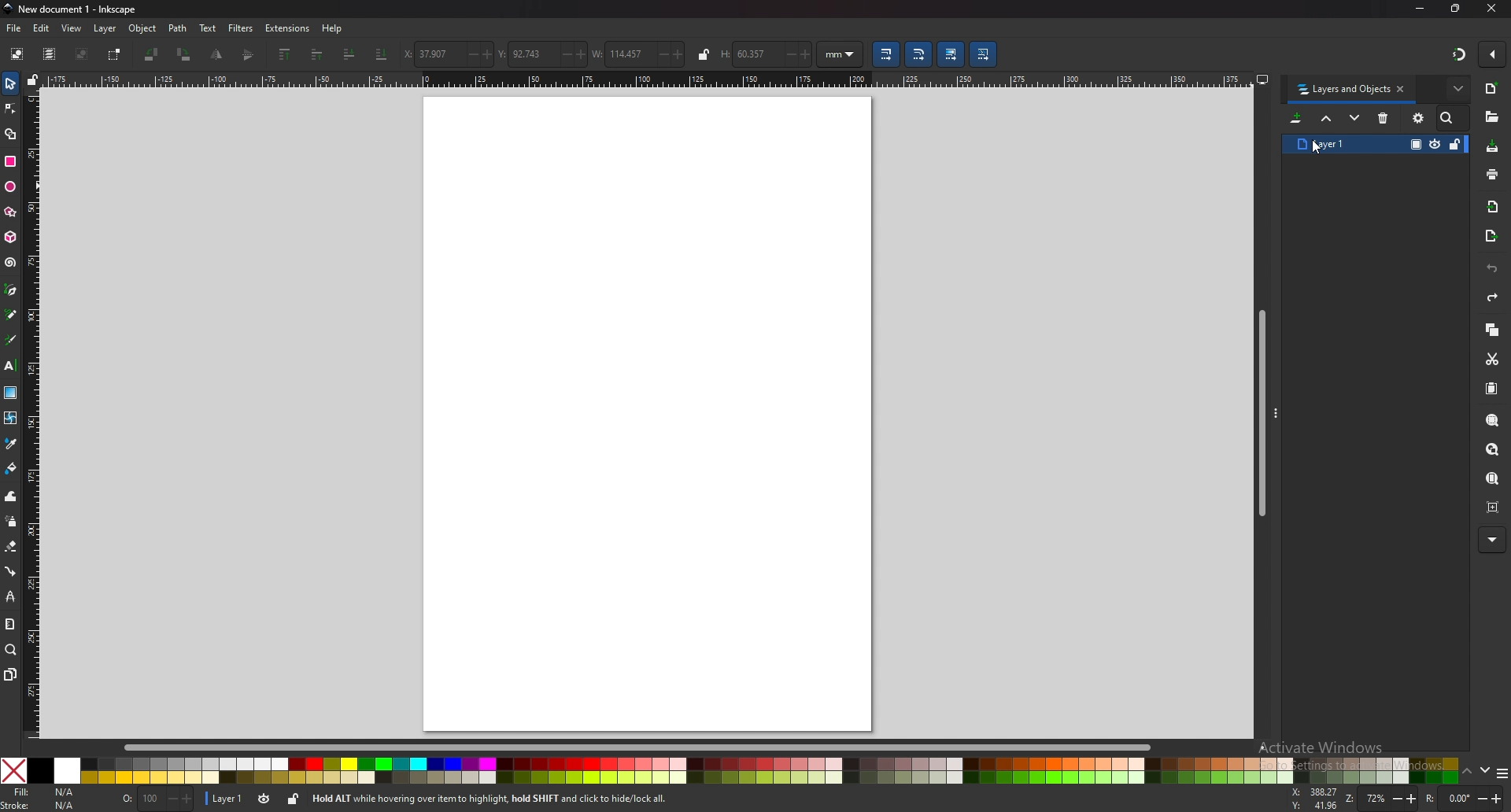 Image resolution: width=1511 pixels, height=812 pixels. I want to click on lower to bottom, so click(382, 54).